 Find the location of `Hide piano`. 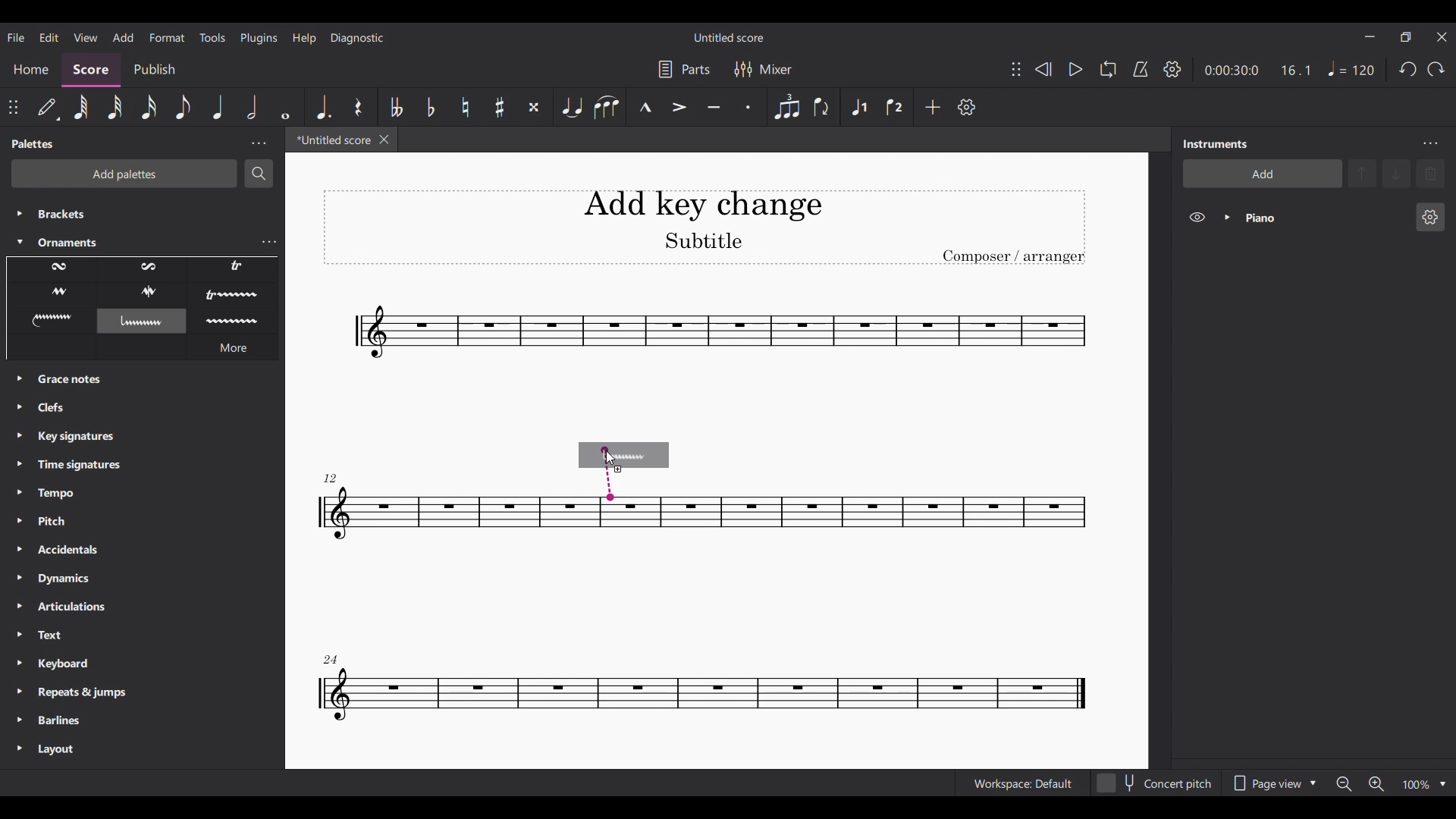

Hide piano is located at coordinates (1197, 217).